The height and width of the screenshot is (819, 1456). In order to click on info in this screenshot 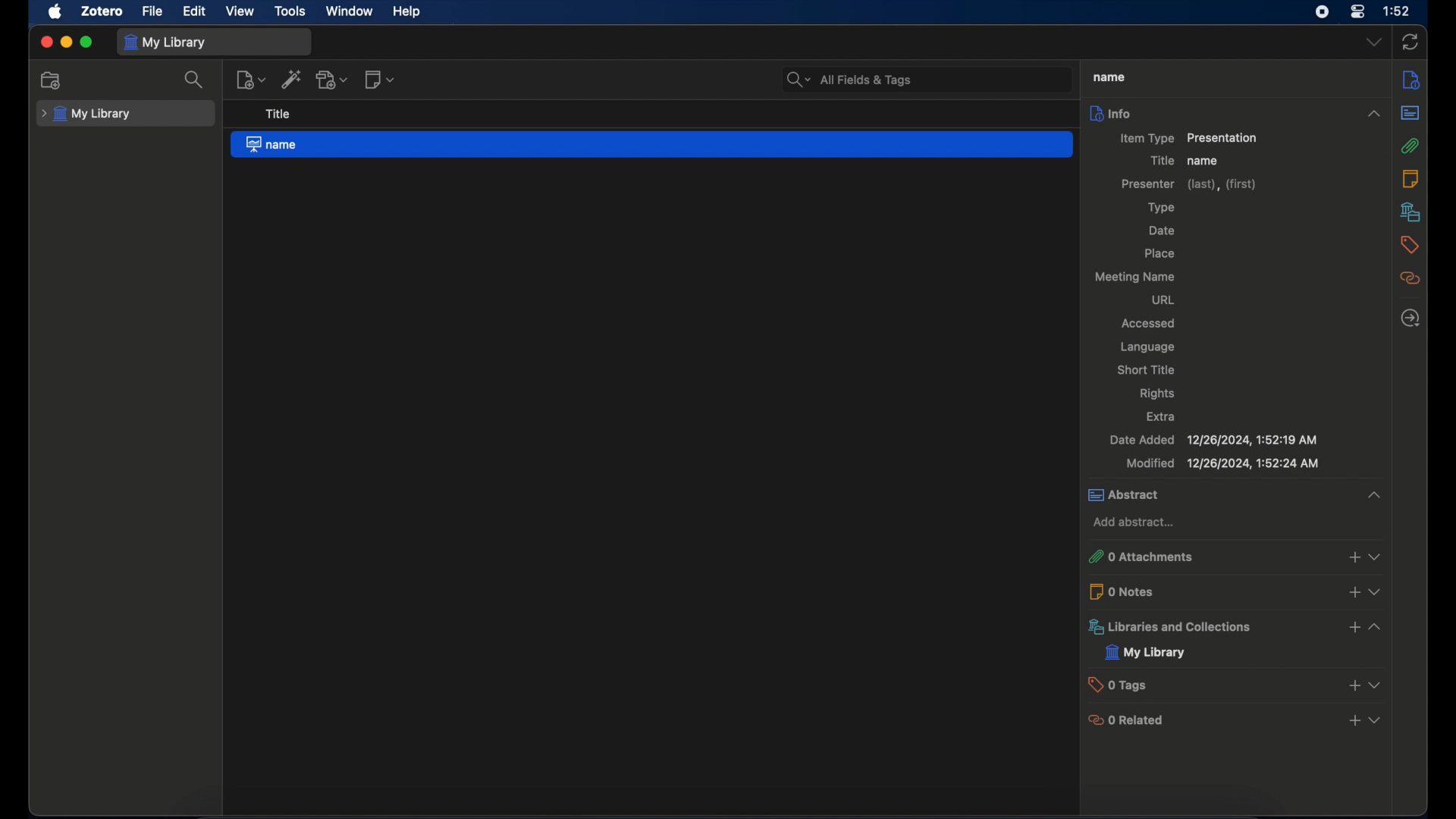, I will do `click(1412, 80)`.